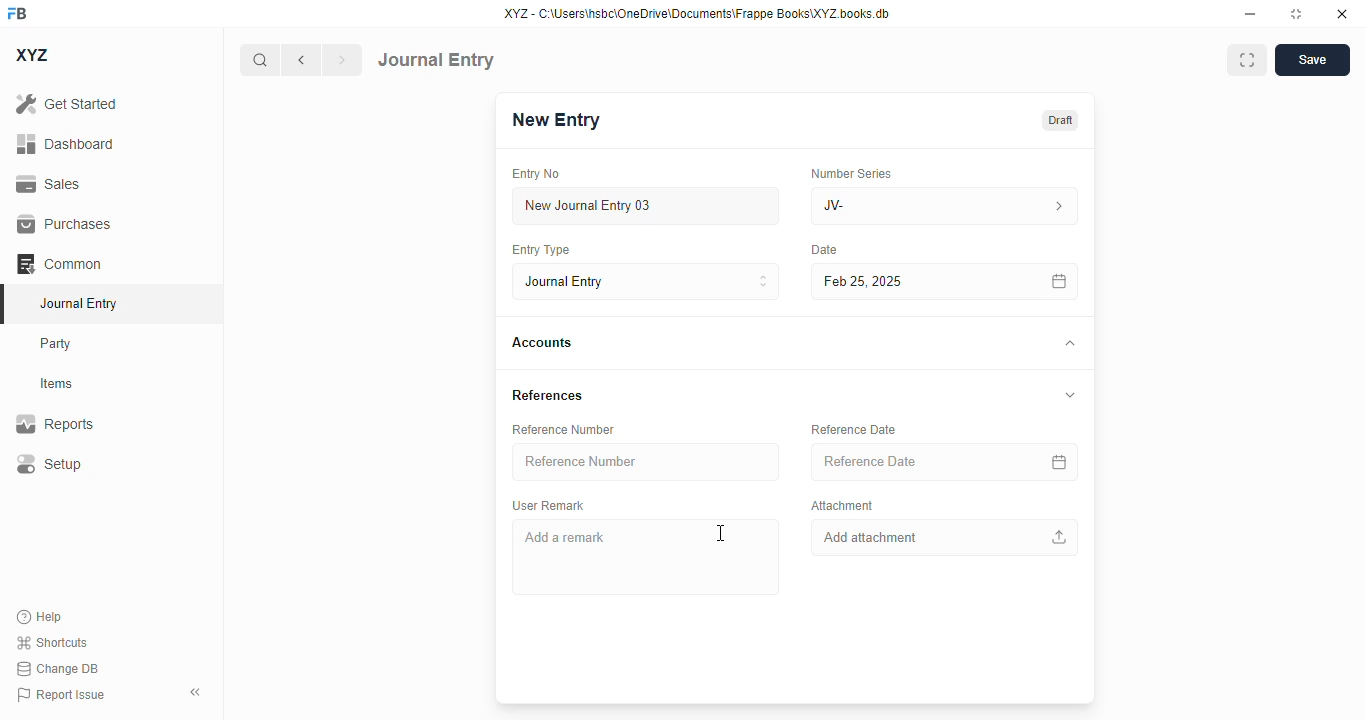 The height and width of the screenshot is (720, 1366). Describe the element at coordinates (548, 505) in the screenshot. I see `user remark` at that location.